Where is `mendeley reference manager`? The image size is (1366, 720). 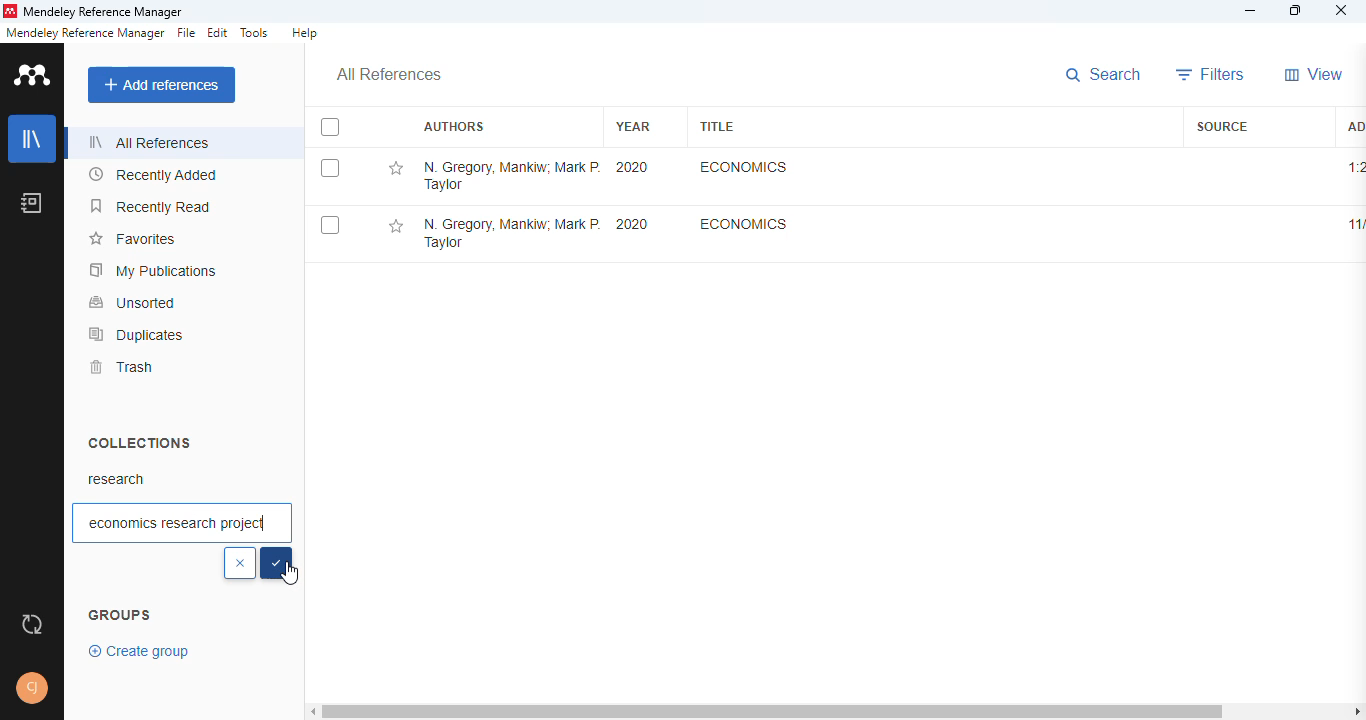 mendeley reference manager is located at coordinates (103, 13).